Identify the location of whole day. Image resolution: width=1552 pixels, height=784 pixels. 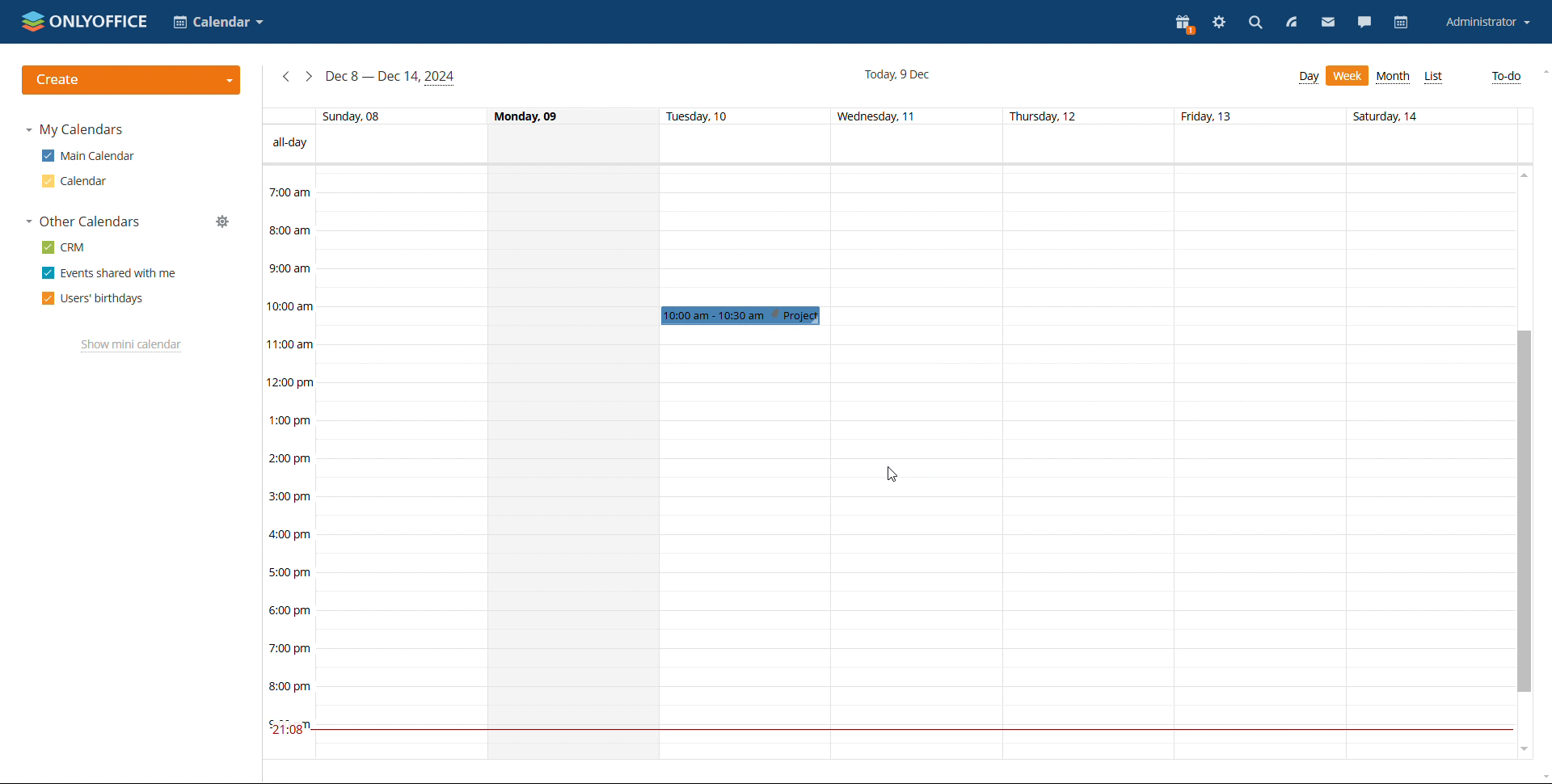
(573, 462).